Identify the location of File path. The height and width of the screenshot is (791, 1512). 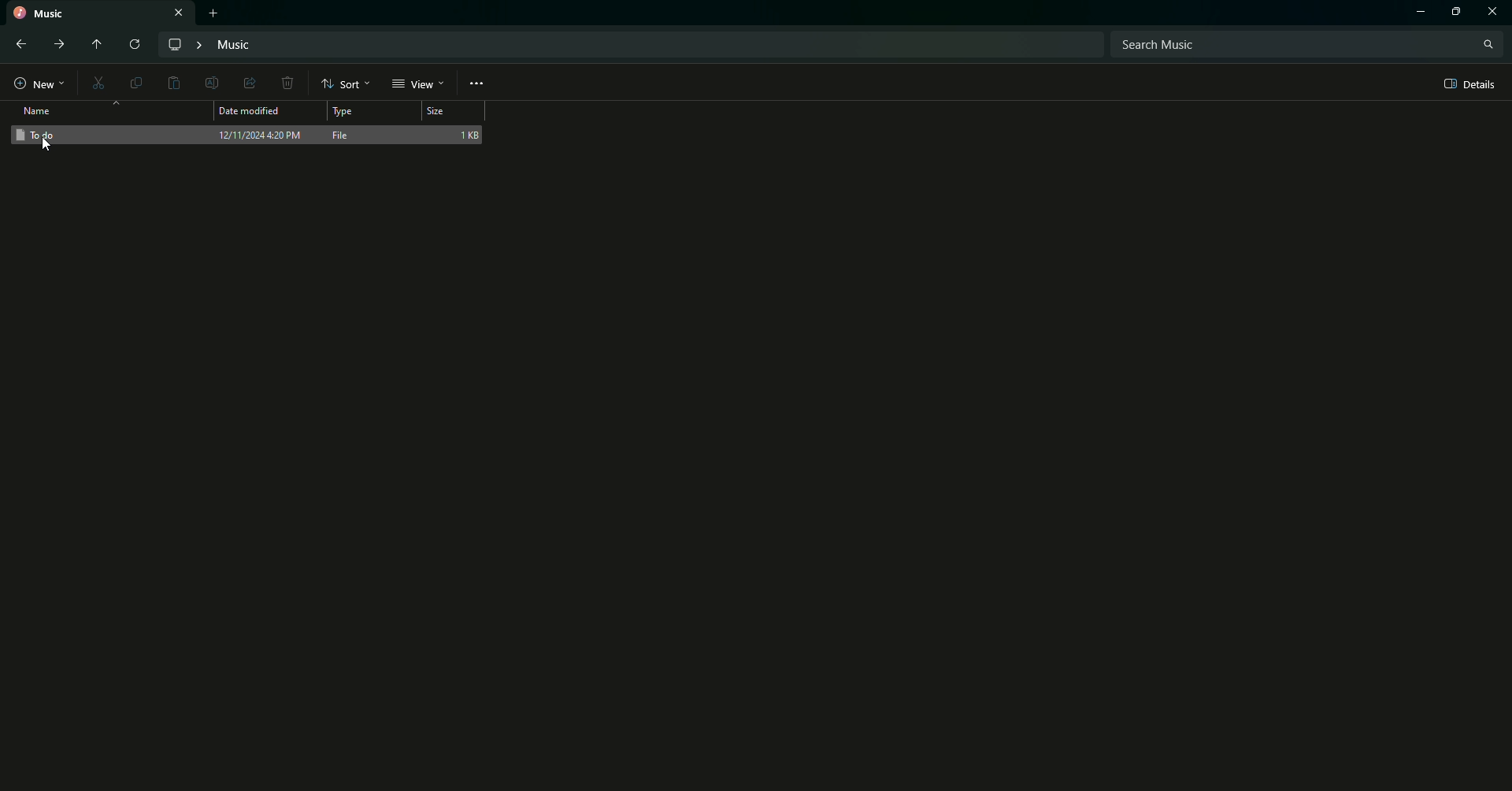
(628, 44).